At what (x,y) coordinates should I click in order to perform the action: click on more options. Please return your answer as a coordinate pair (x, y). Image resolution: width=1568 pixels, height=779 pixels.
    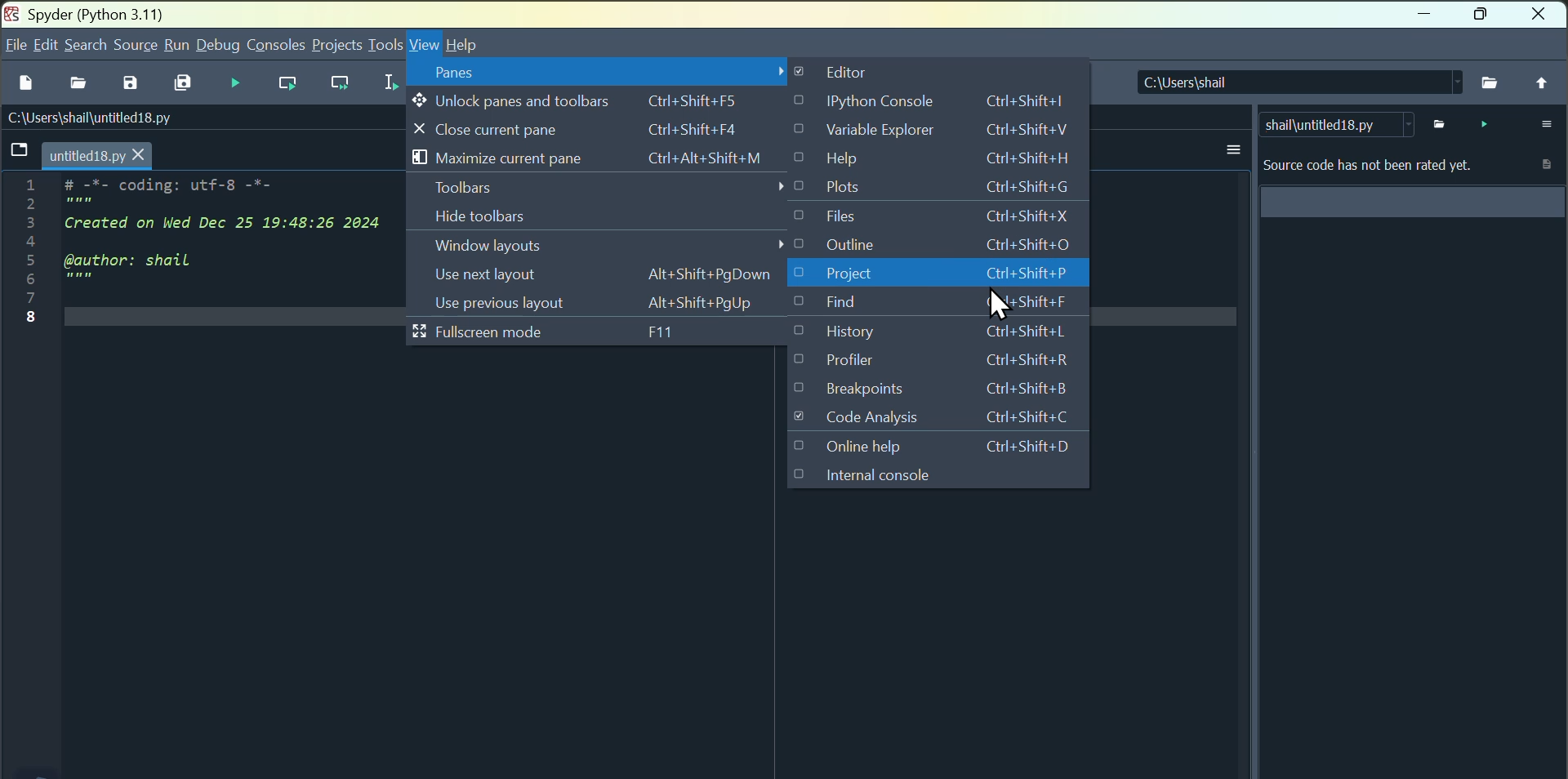
    Looking at the image, I should click on (1232, 149).